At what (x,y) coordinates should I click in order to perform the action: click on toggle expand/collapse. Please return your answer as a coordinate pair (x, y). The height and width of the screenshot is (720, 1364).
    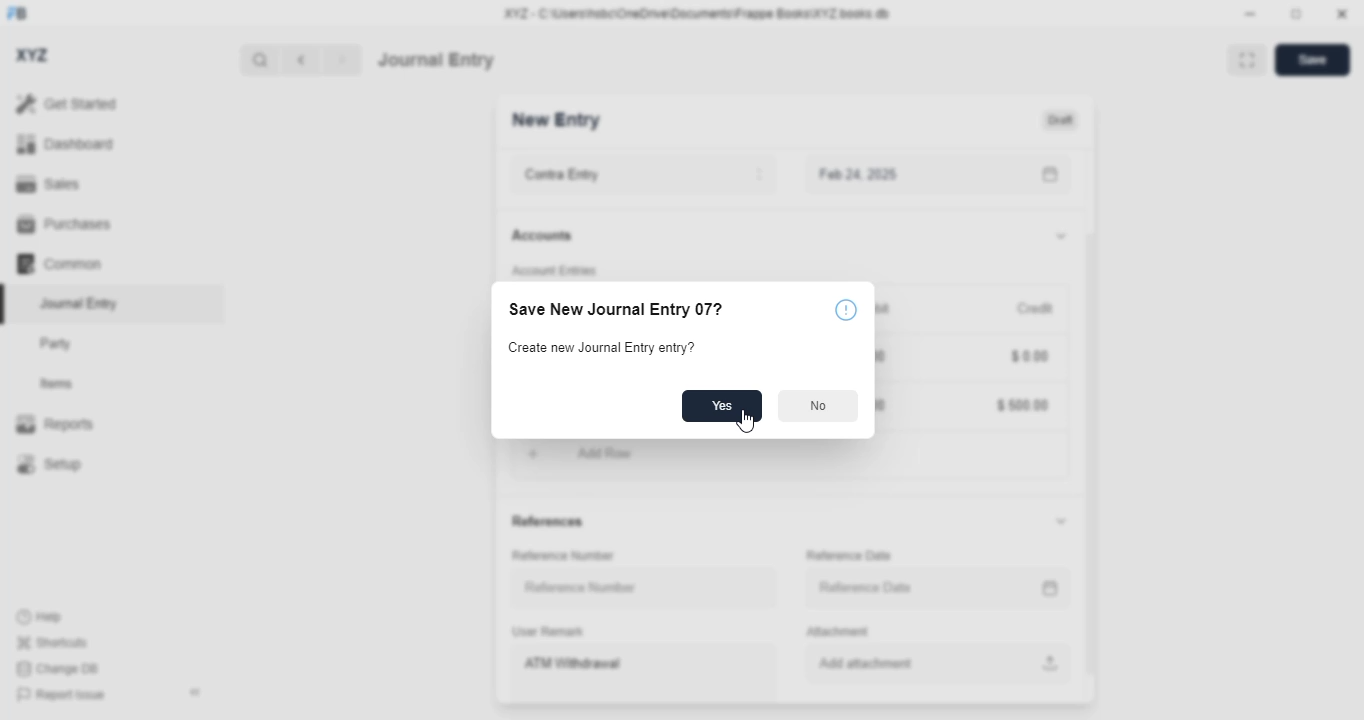
    Looking at the image, I should click on (1061, 237).